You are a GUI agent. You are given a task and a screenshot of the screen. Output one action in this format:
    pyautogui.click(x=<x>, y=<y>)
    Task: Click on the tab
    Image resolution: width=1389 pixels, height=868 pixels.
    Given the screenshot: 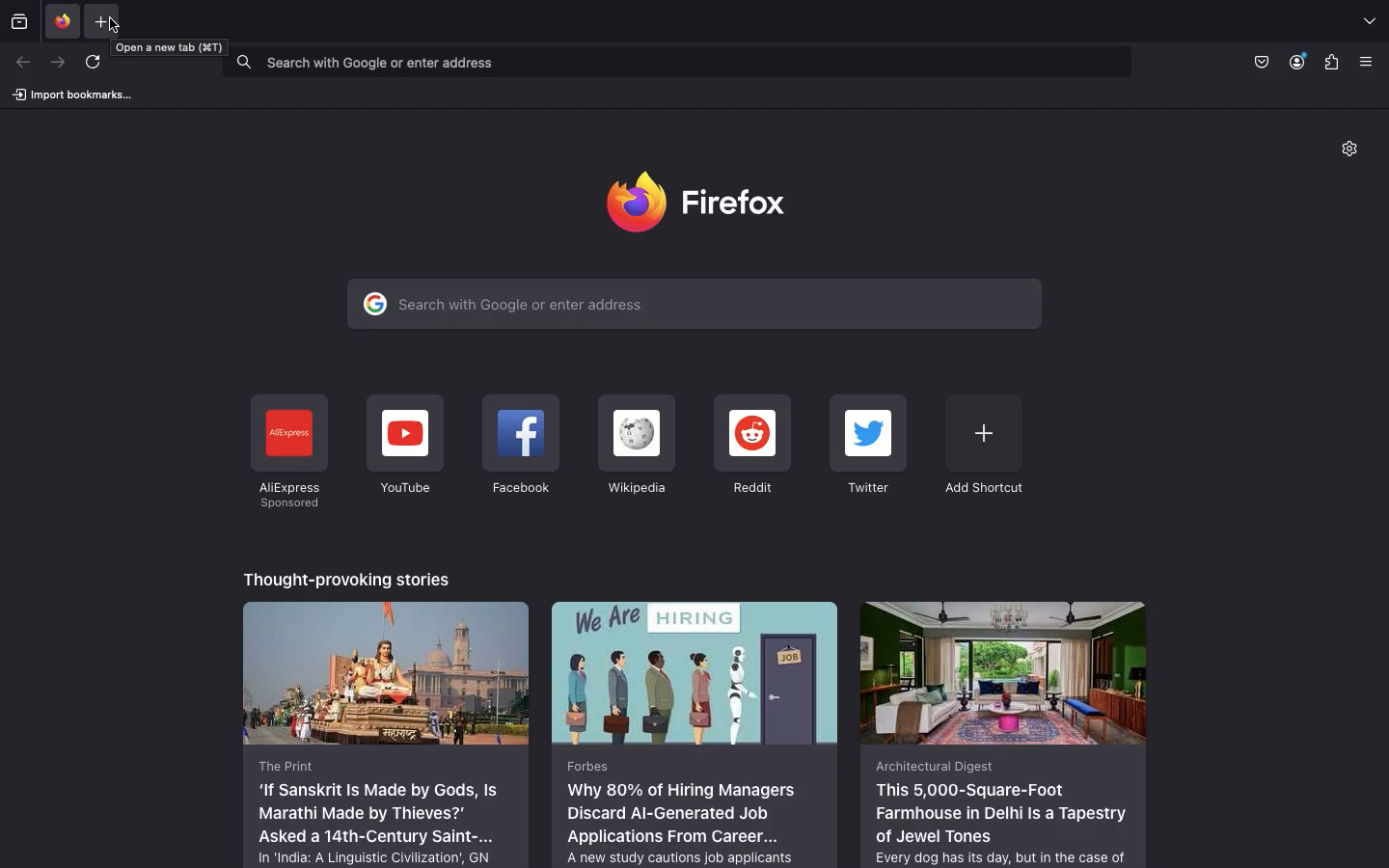 What is the action you would take?
    pyautogui.click(x=60, y=20)
    